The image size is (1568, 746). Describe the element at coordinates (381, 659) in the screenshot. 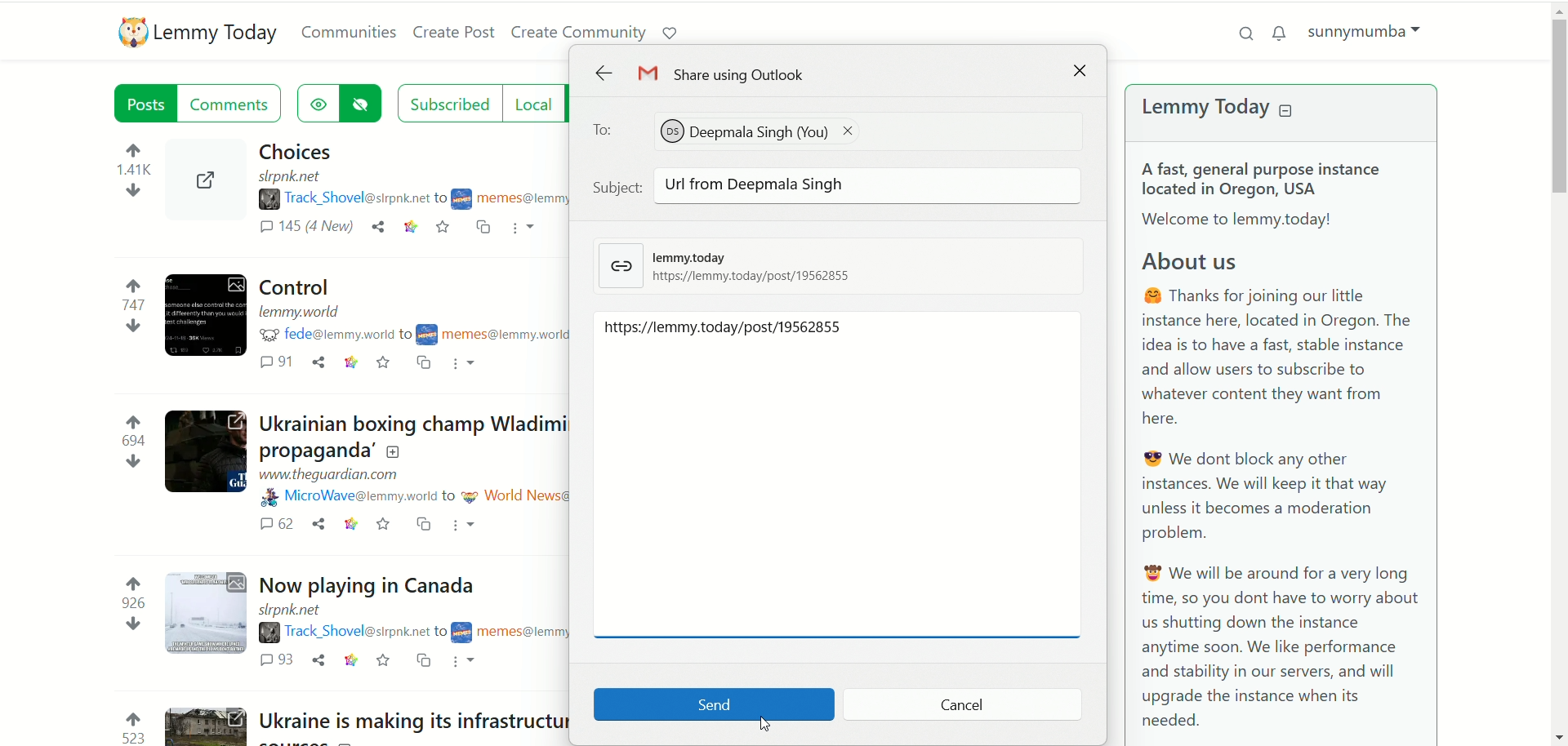

I see `save` at that location.